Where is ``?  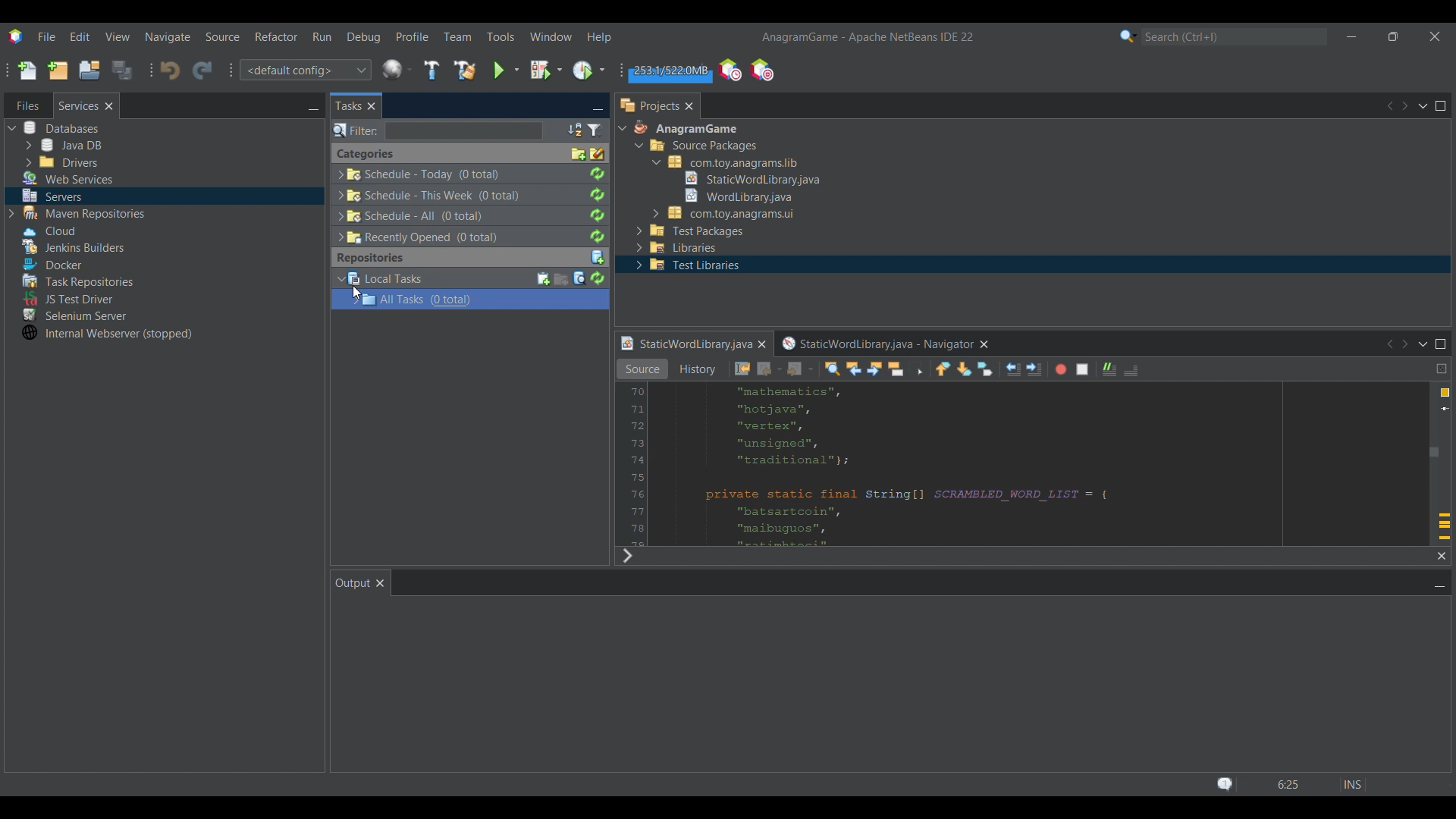
 is located at coordinates (701, 146).